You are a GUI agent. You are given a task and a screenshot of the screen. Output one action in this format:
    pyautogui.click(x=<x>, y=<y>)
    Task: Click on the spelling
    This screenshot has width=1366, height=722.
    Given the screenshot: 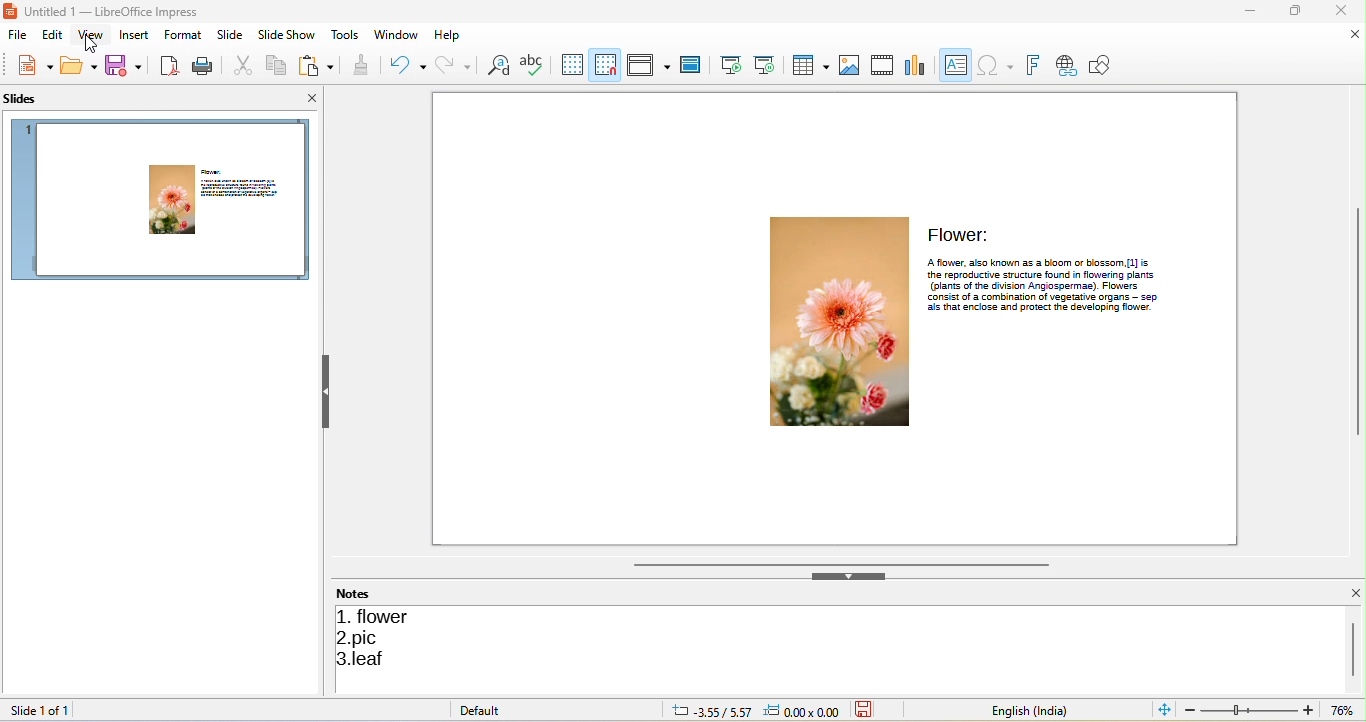 What is the action you would take?
    pyautogui.click(x=531, y=65)
    